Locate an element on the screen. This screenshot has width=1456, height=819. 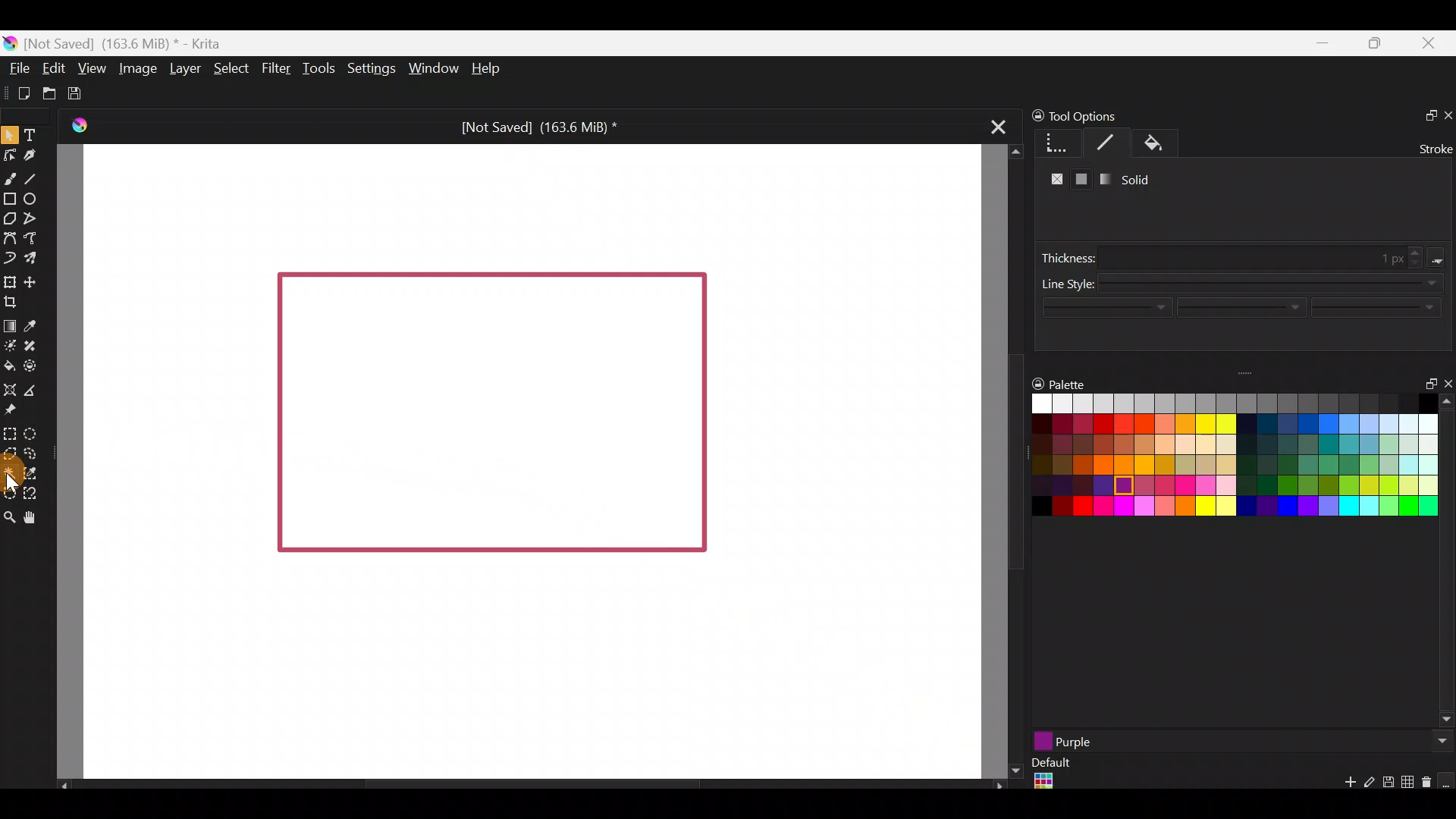
Polygonal section tool is located at coordinates (10, 454).